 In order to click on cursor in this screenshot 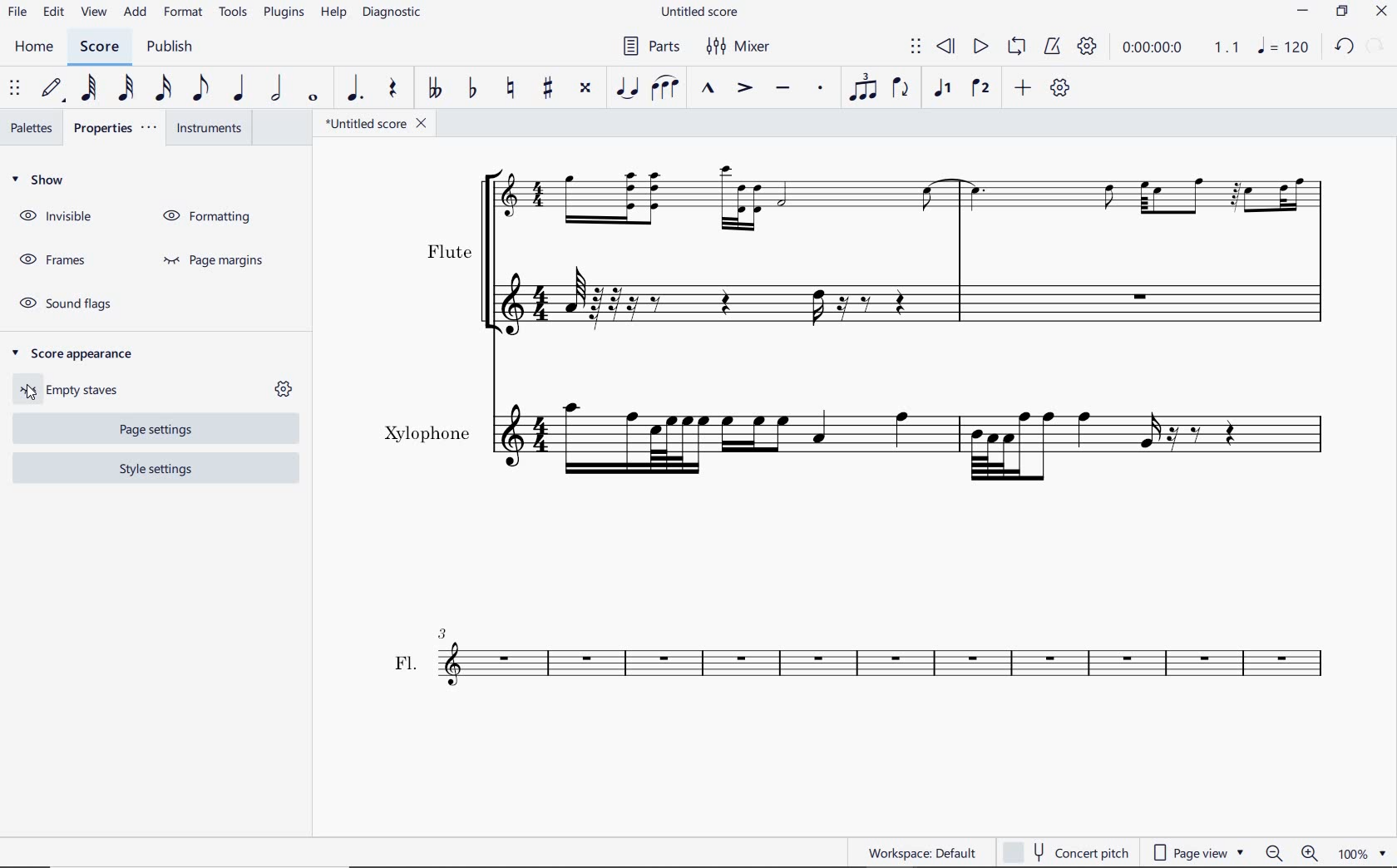, I will do `click(29, 397)`.